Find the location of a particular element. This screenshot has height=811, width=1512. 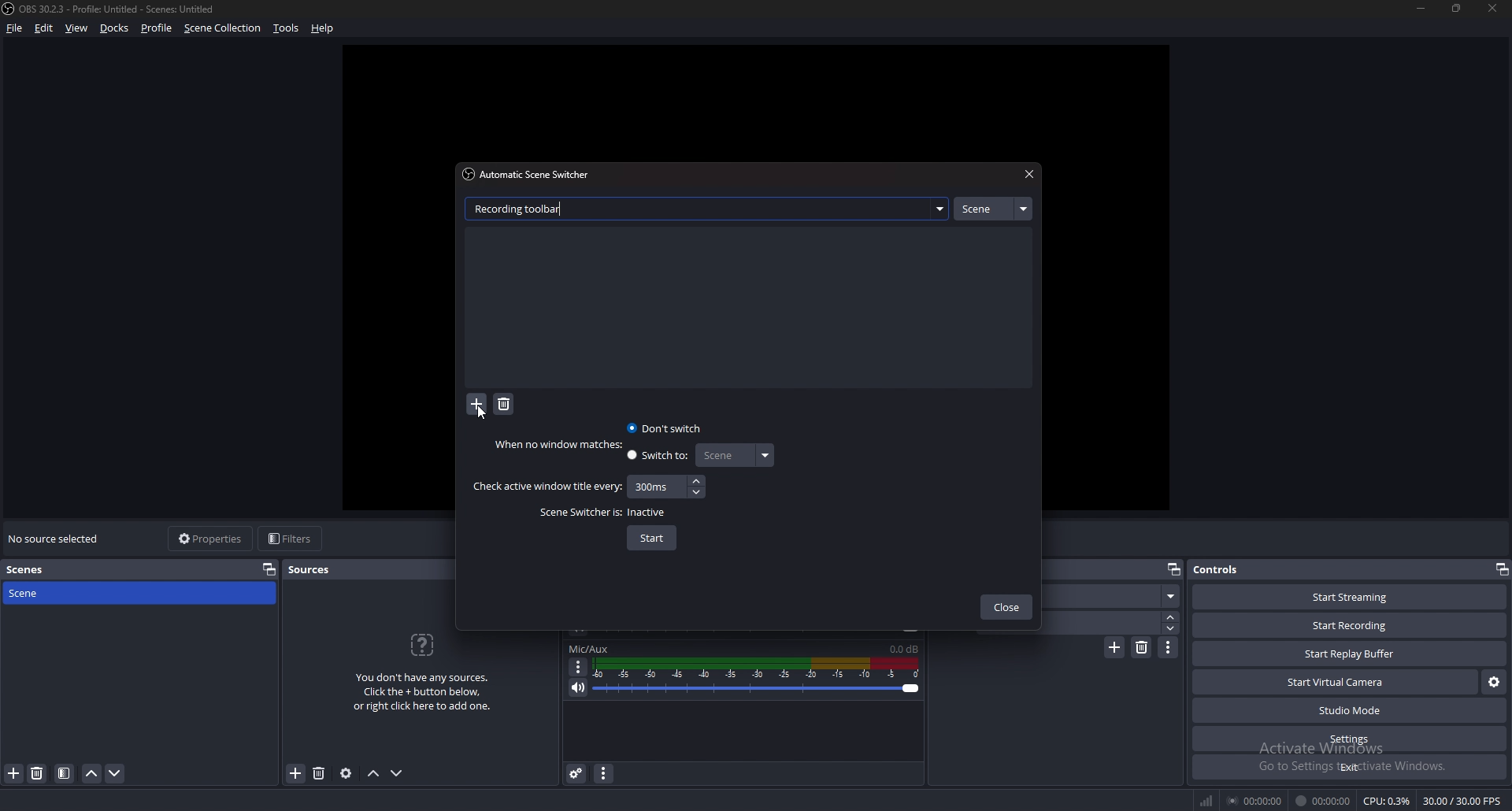

scene is located at coordinates (42, 592).